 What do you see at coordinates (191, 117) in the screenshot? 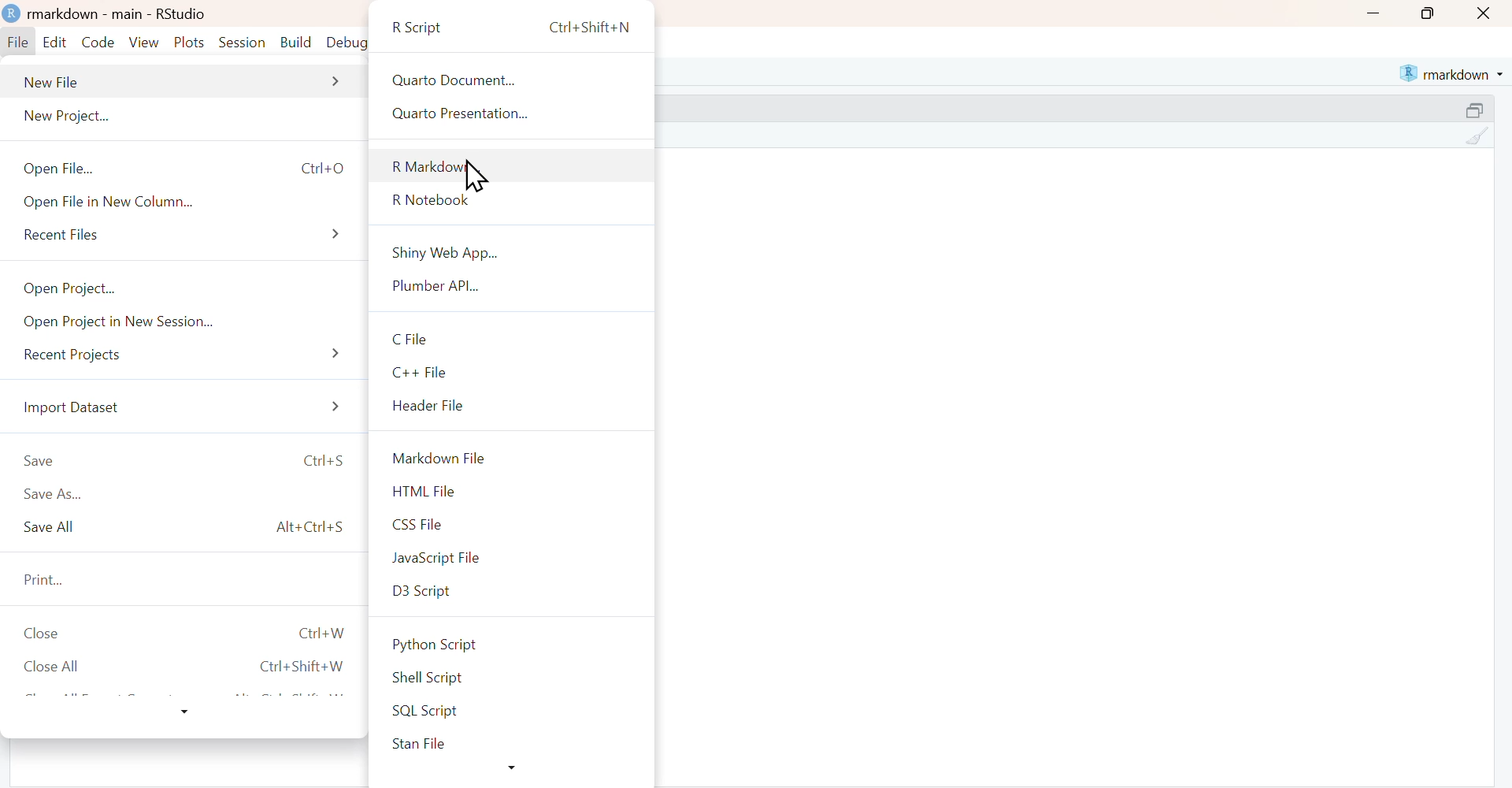
I see `new project ` at bounding box center [191, 117].